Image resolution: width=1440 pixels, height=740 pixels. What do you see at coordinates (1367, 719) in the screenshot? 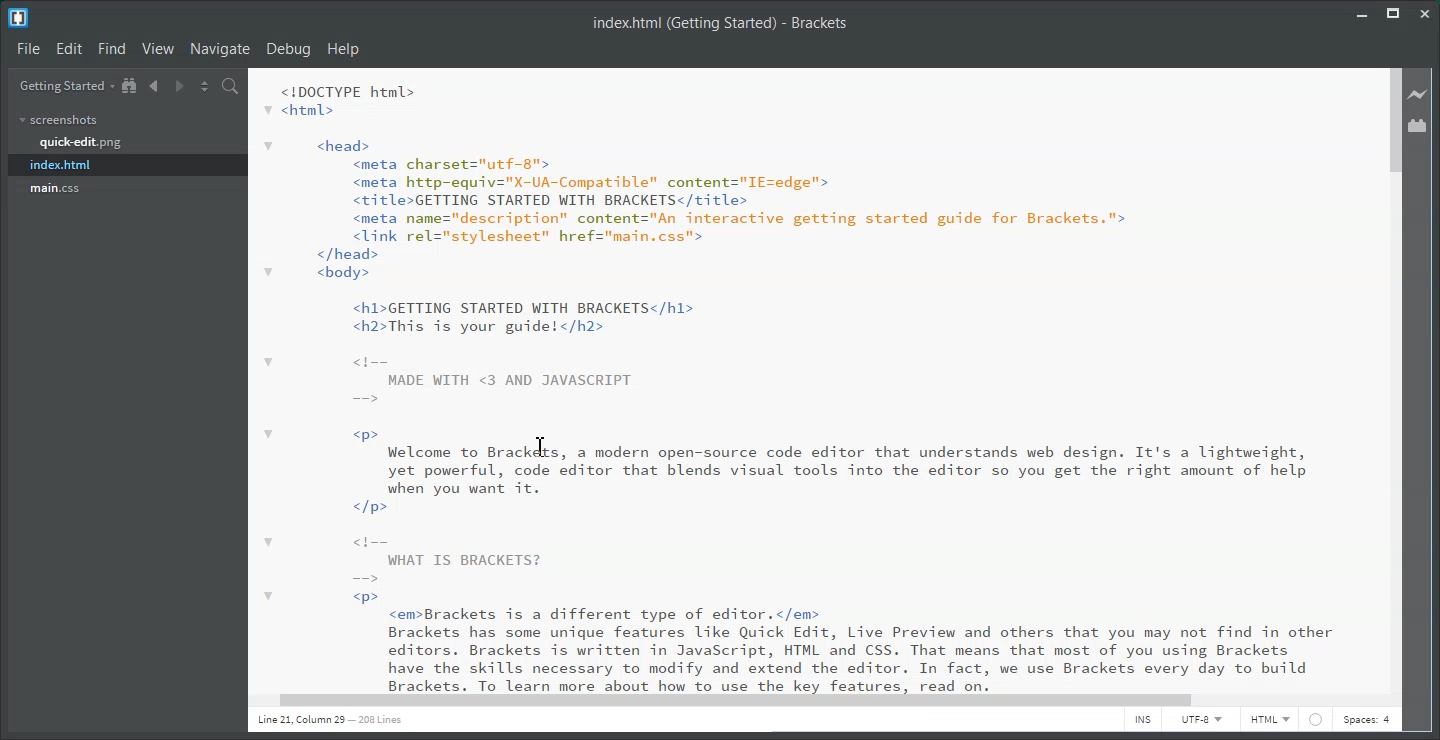
I see `Spaces: 4` at bounding box center [1367, 719].